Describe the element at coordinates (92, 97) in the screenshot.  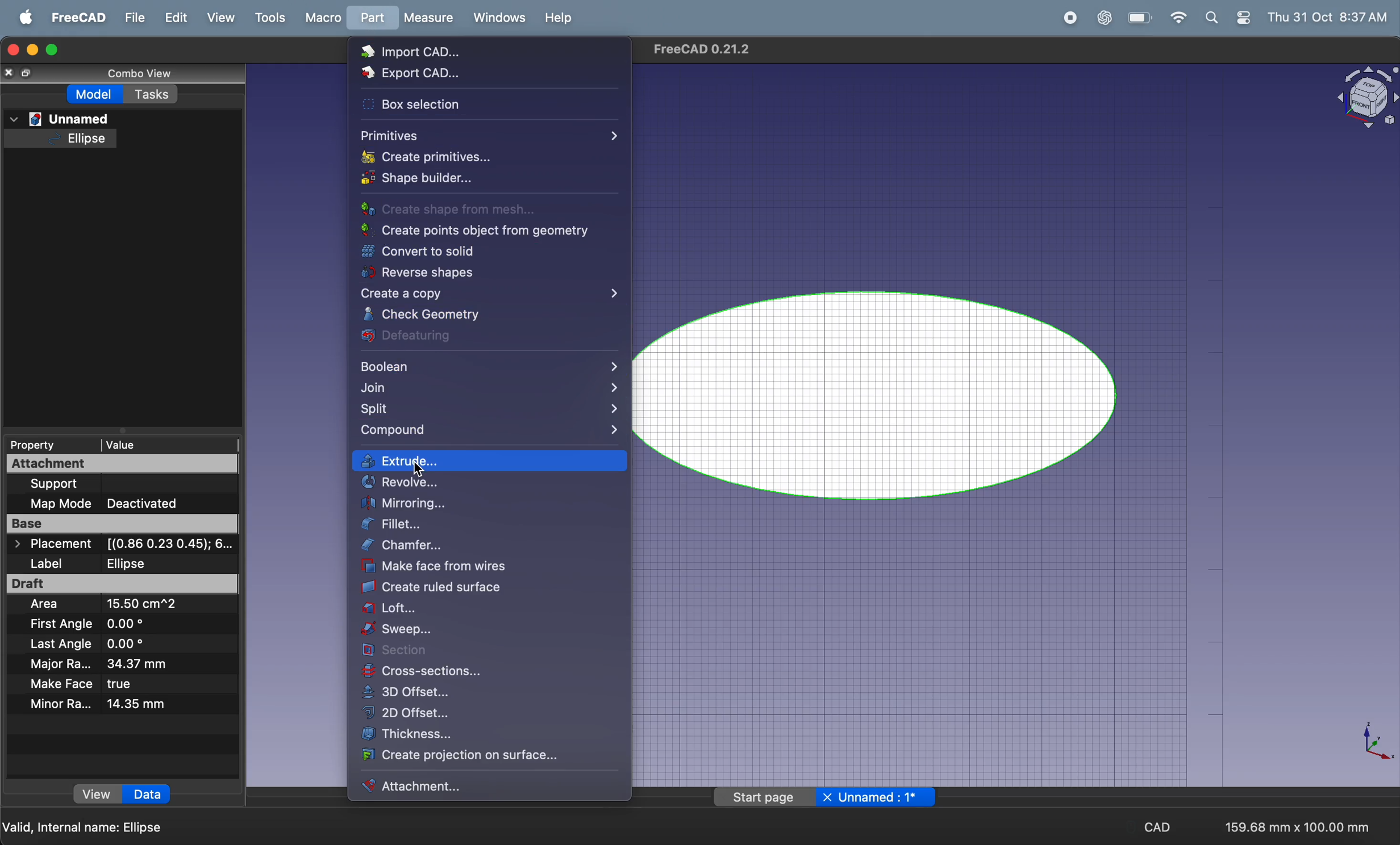
I see `model` at that location.